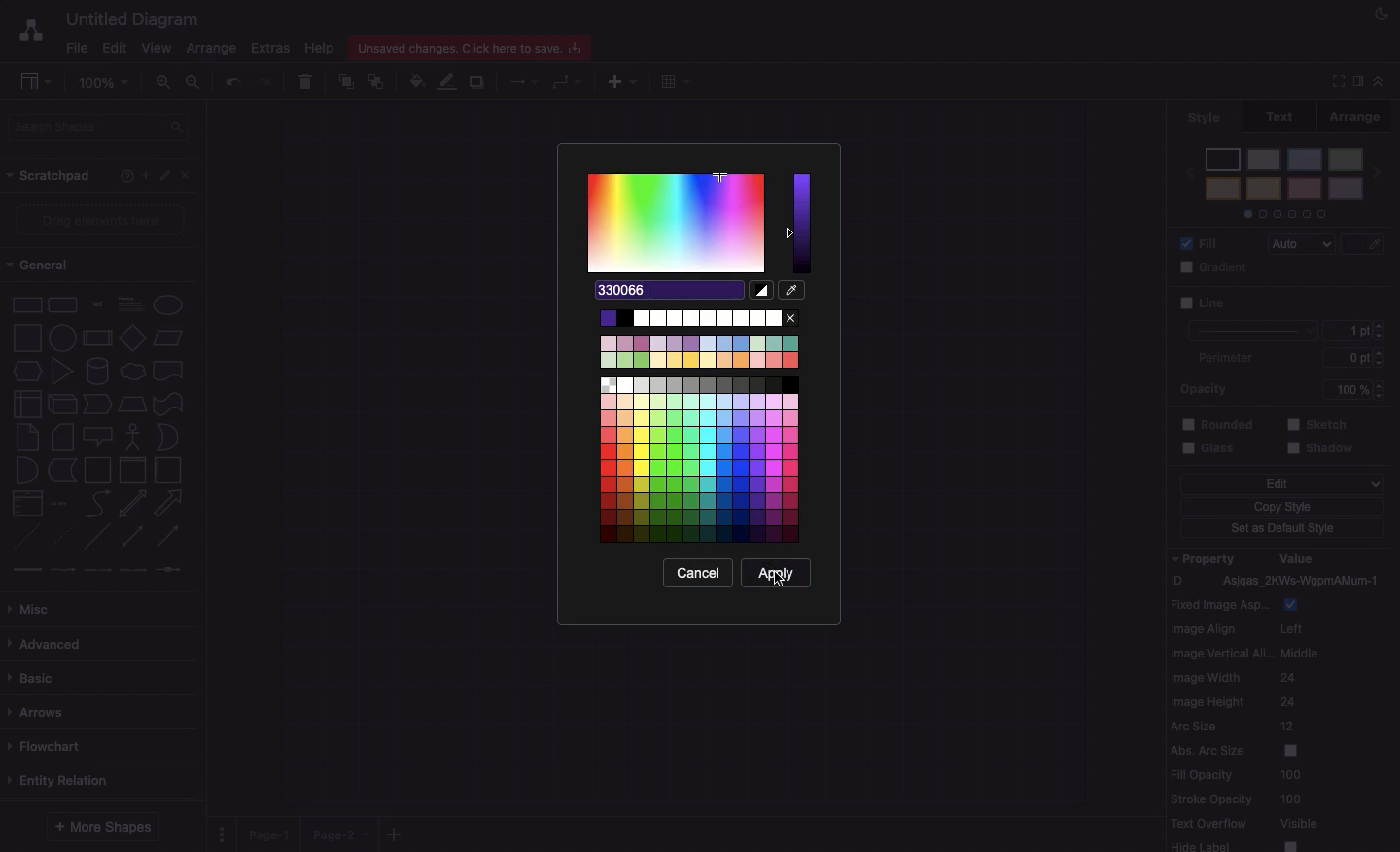 The height and width of the screenshot is (852, 1400). What do you see at coordinates (108, 81) in the screenshot?
I see `Zoom` at bounding box center [108, 81].